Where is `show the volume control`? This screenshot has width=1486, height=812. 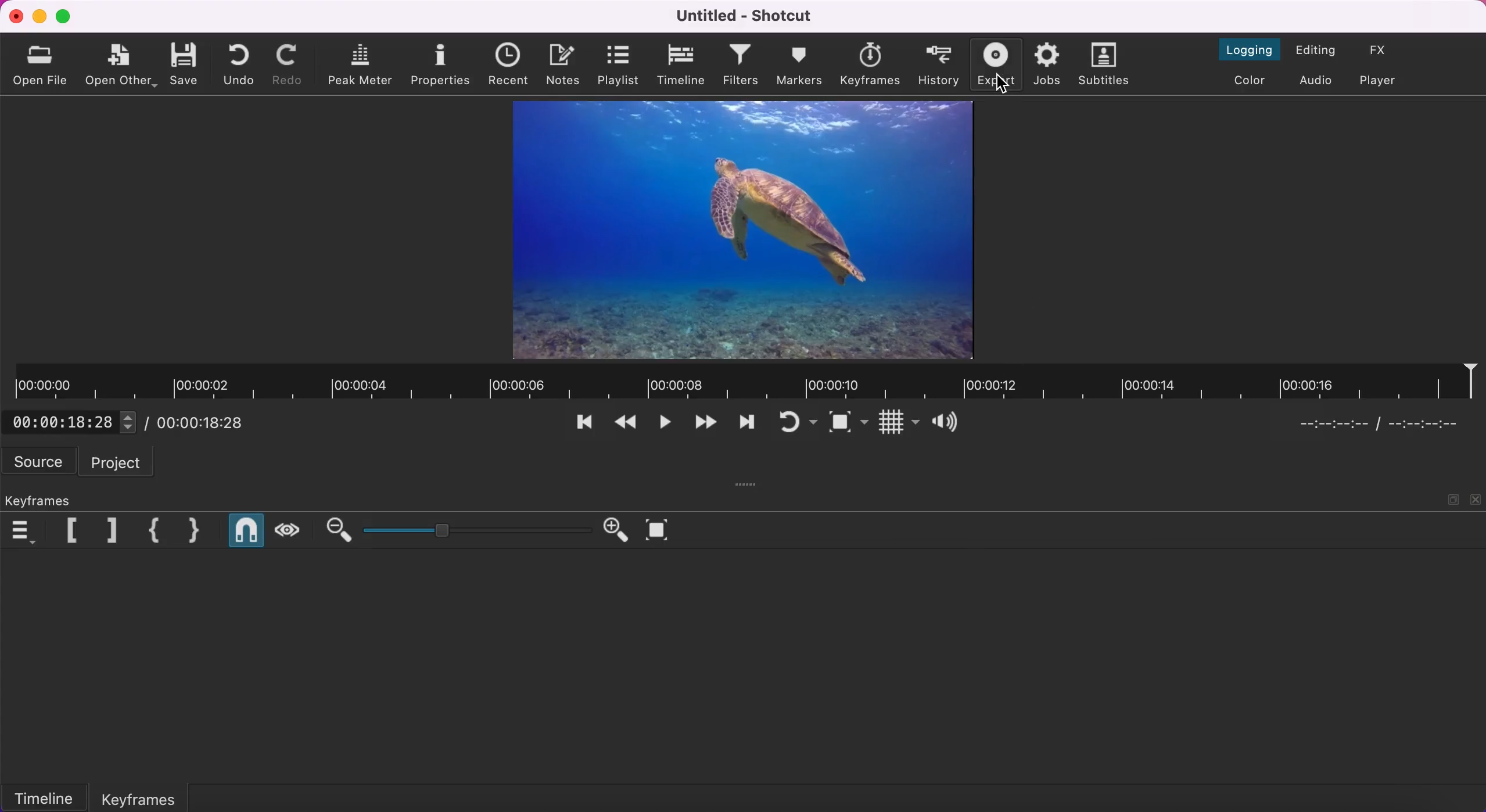
show the volume control is located at coordinates (949, 422).